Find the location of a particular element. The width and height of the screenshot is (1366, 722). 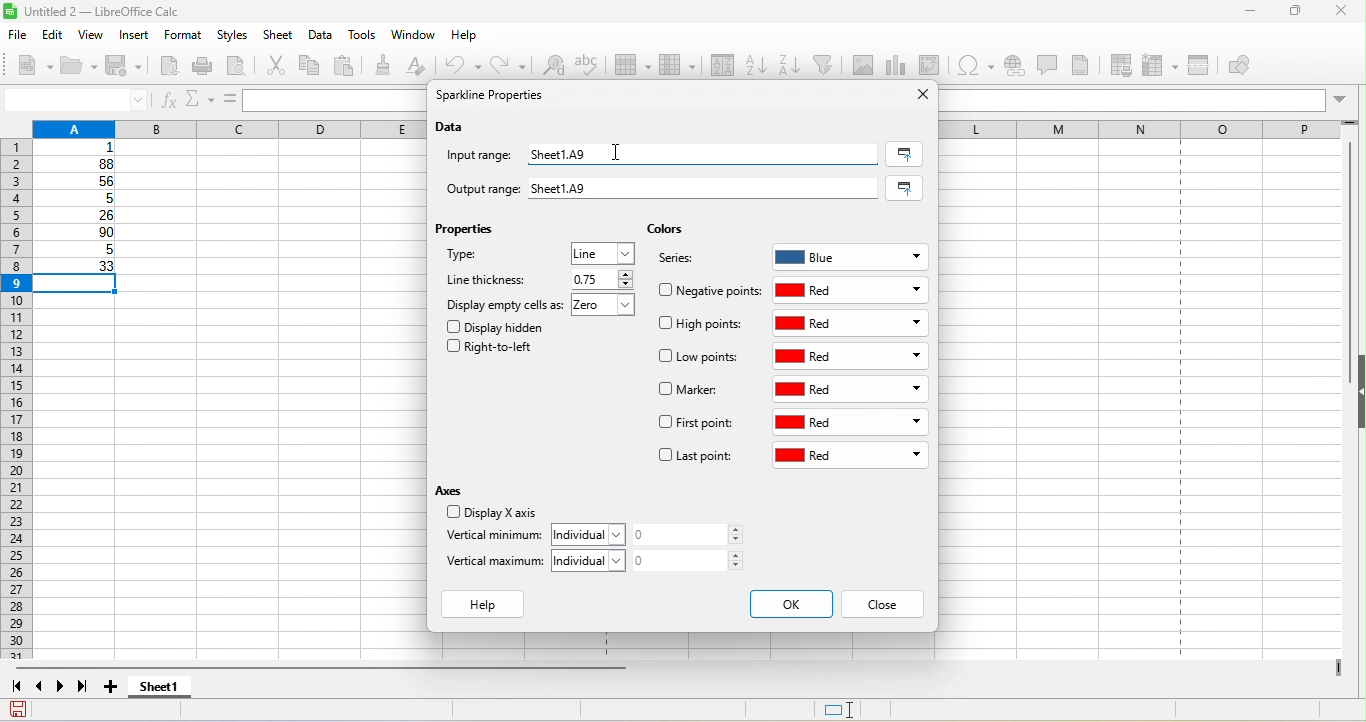

split window is located at coordinates (1203, 66).